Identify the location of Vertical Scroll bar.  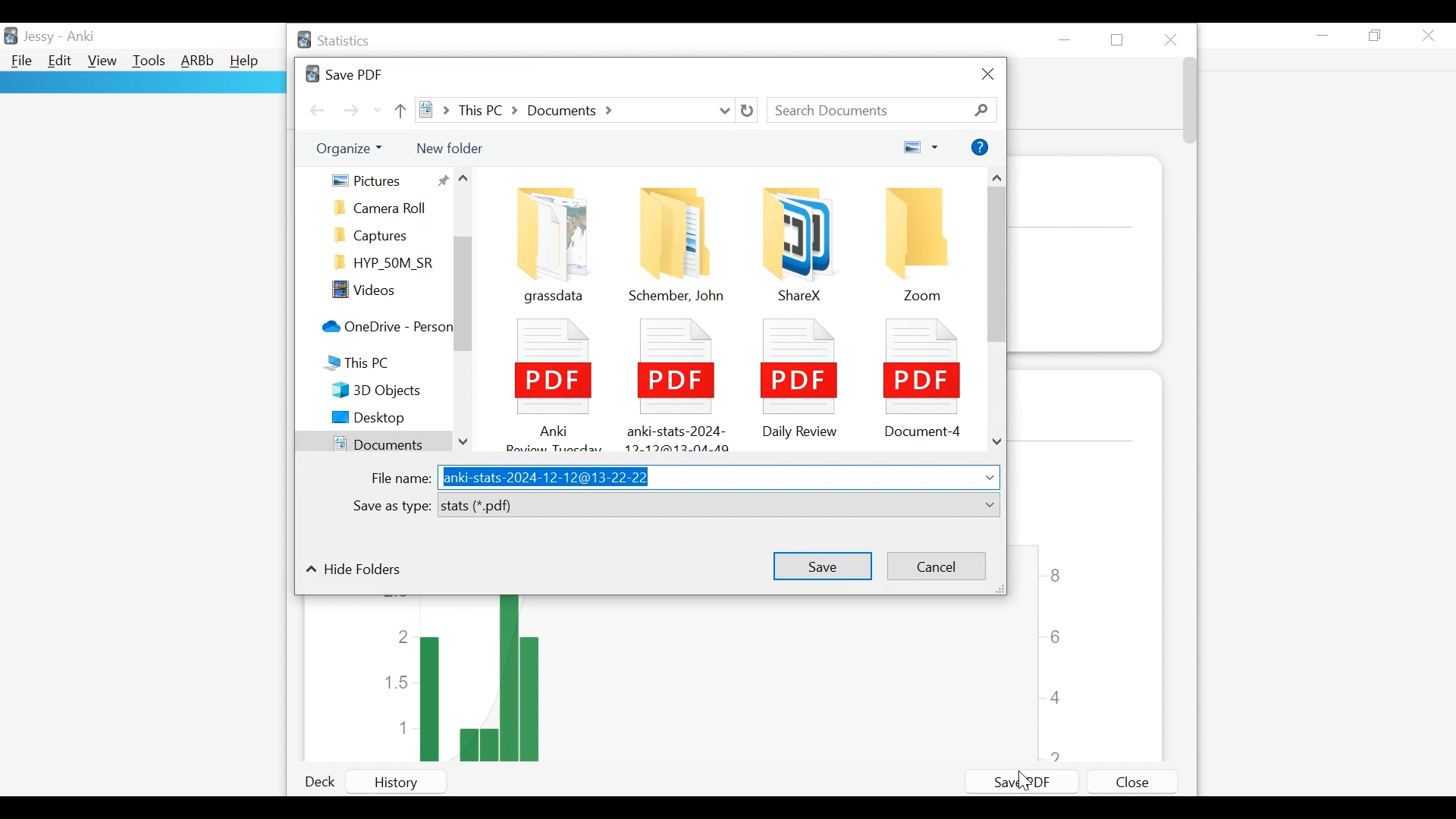
(463, 296).